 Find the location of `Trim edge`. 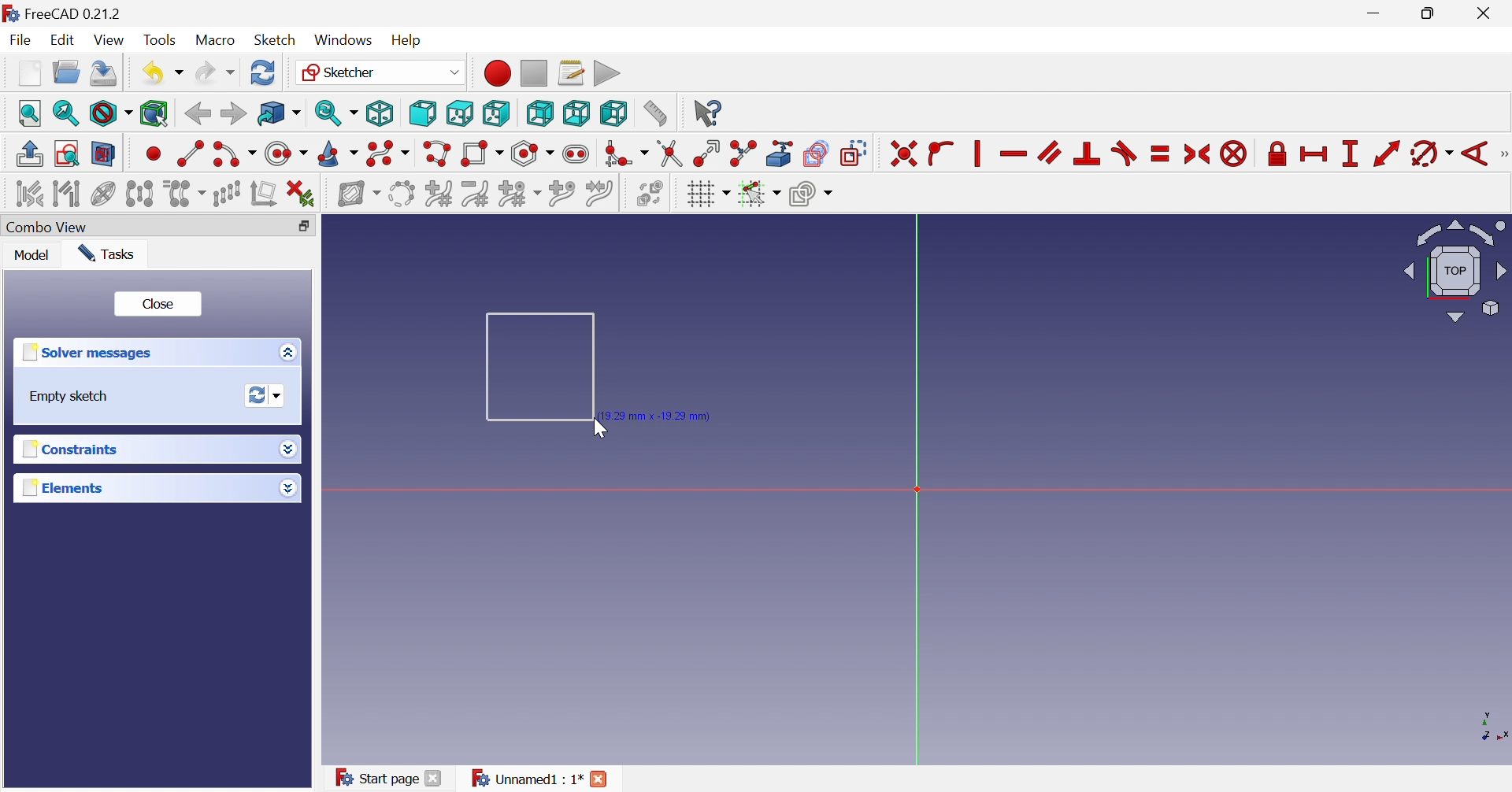

Trim edge is located at coordinates (669, 154).